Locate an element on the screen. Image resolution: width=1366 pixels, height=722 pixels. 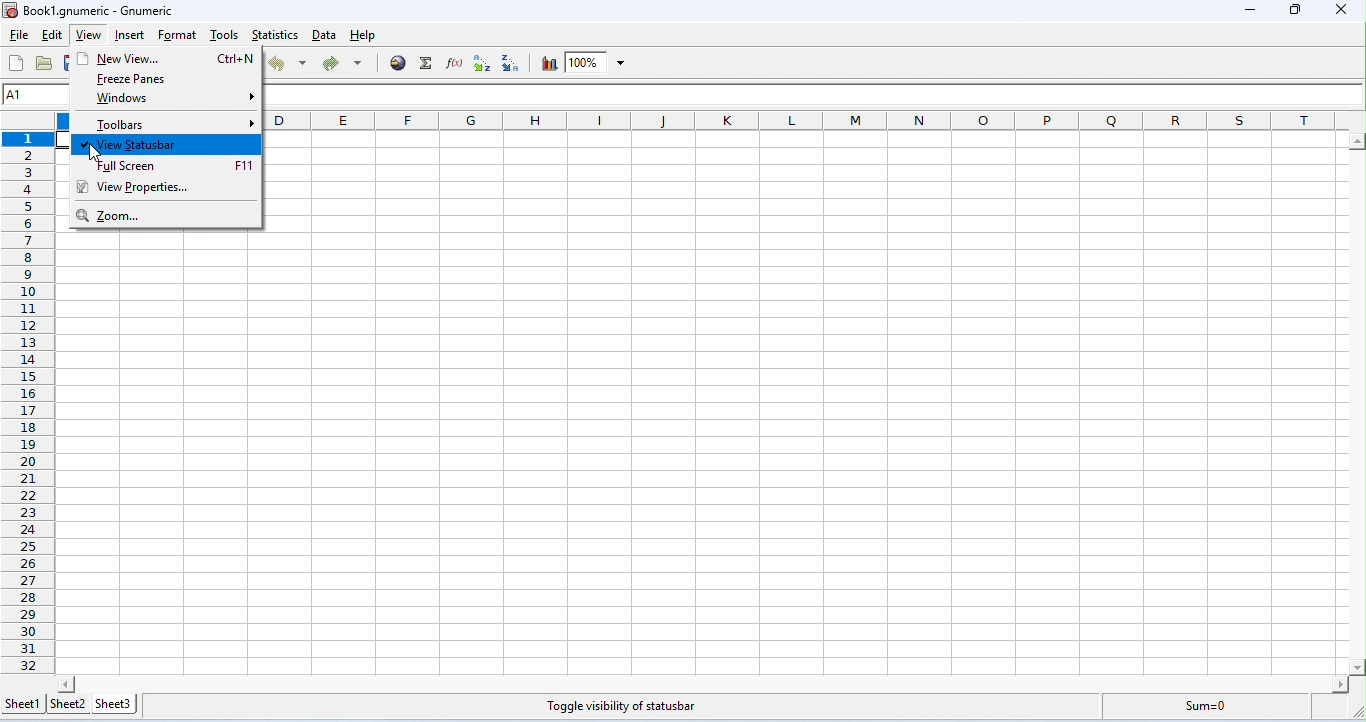
function wizard is located at coordinates (454, 62).